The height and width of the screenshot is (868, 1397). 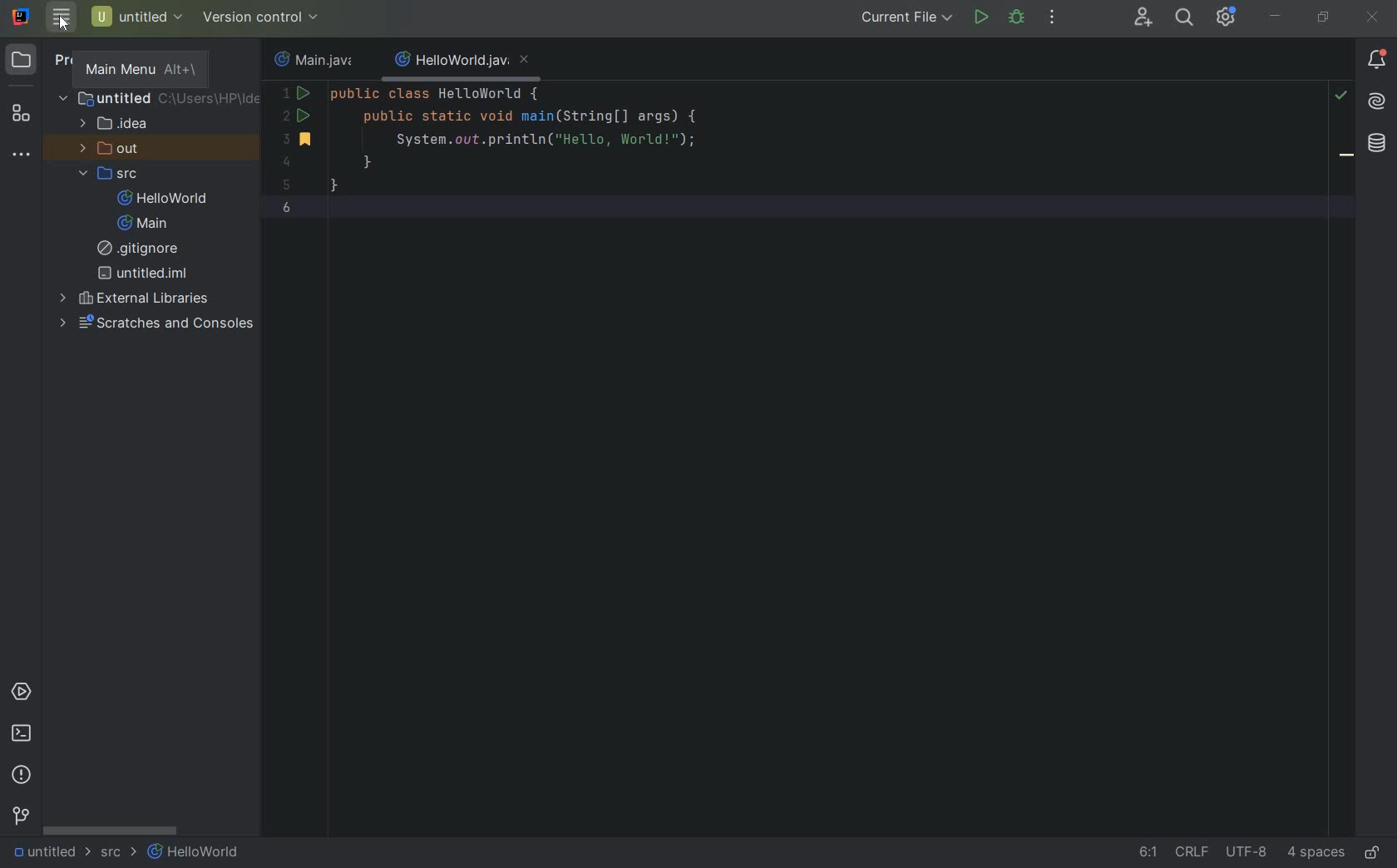 What do you see at coordinates (62, 18) in the screenshot?
I see `main menu` at bounding box center [62, 18].